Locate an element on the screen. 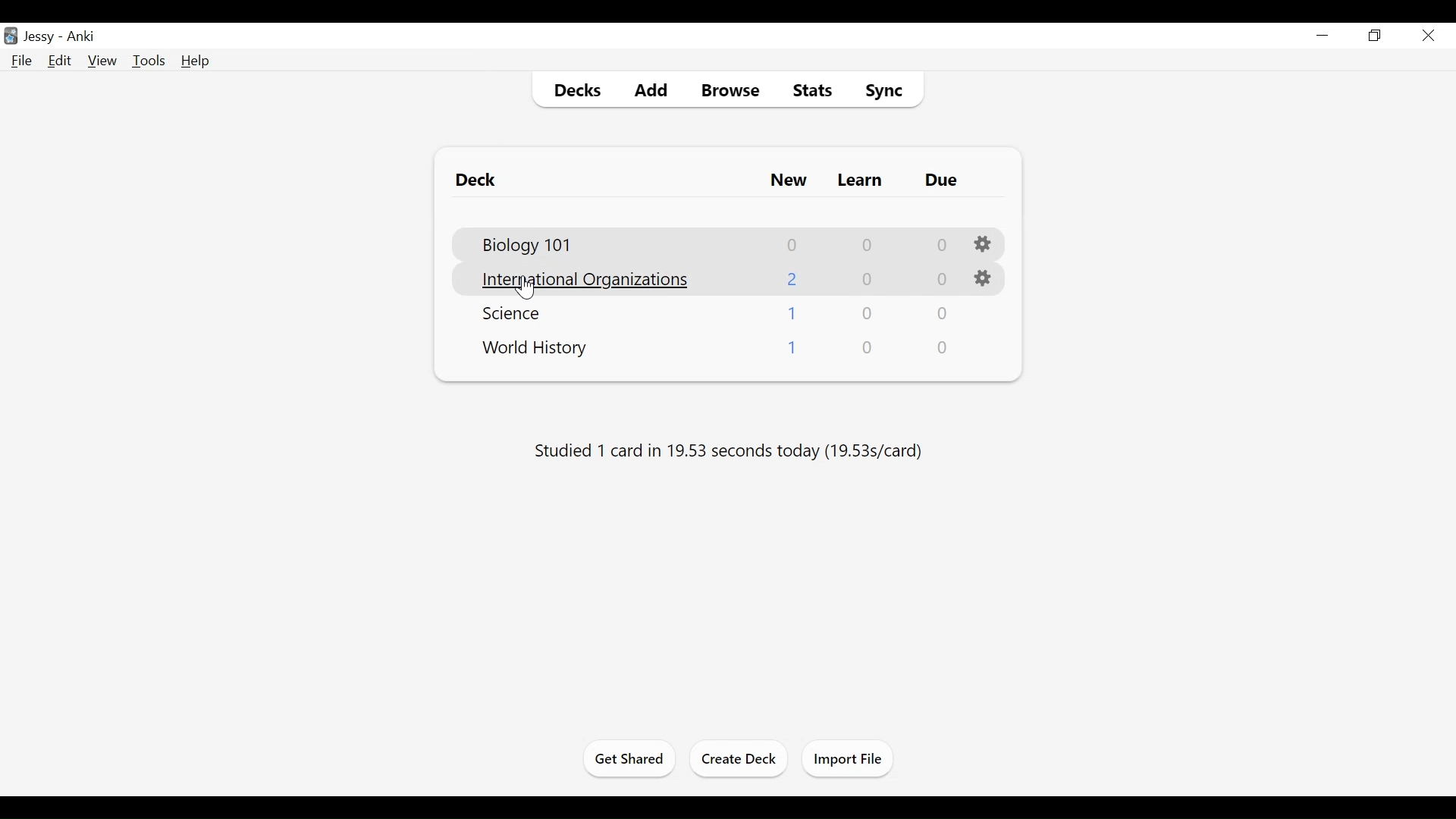  File is located at coordinates (24, 61).